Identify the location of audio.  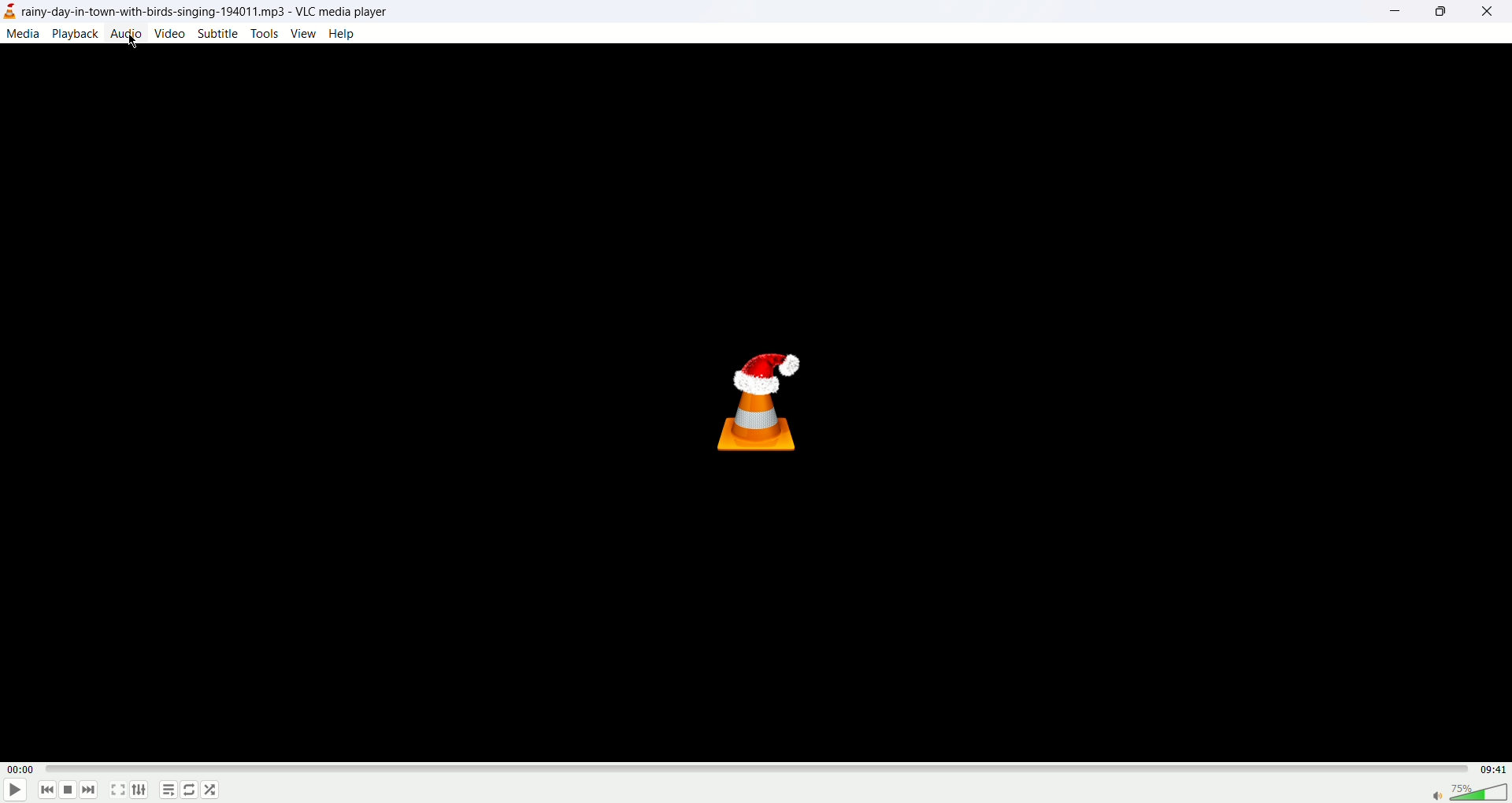
(127, 33).